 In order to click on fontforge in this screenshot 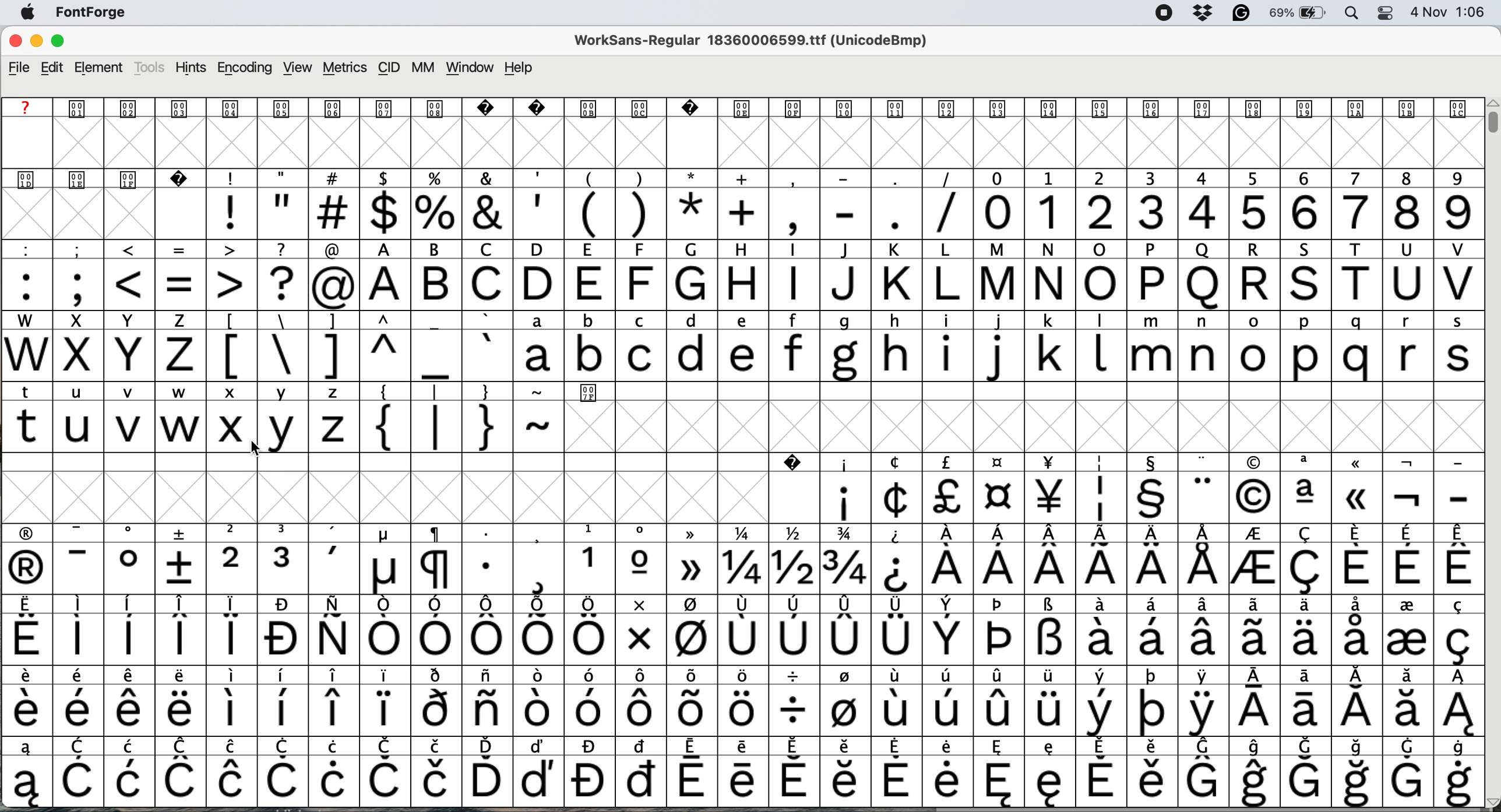, I will do `click(96, 15)`.